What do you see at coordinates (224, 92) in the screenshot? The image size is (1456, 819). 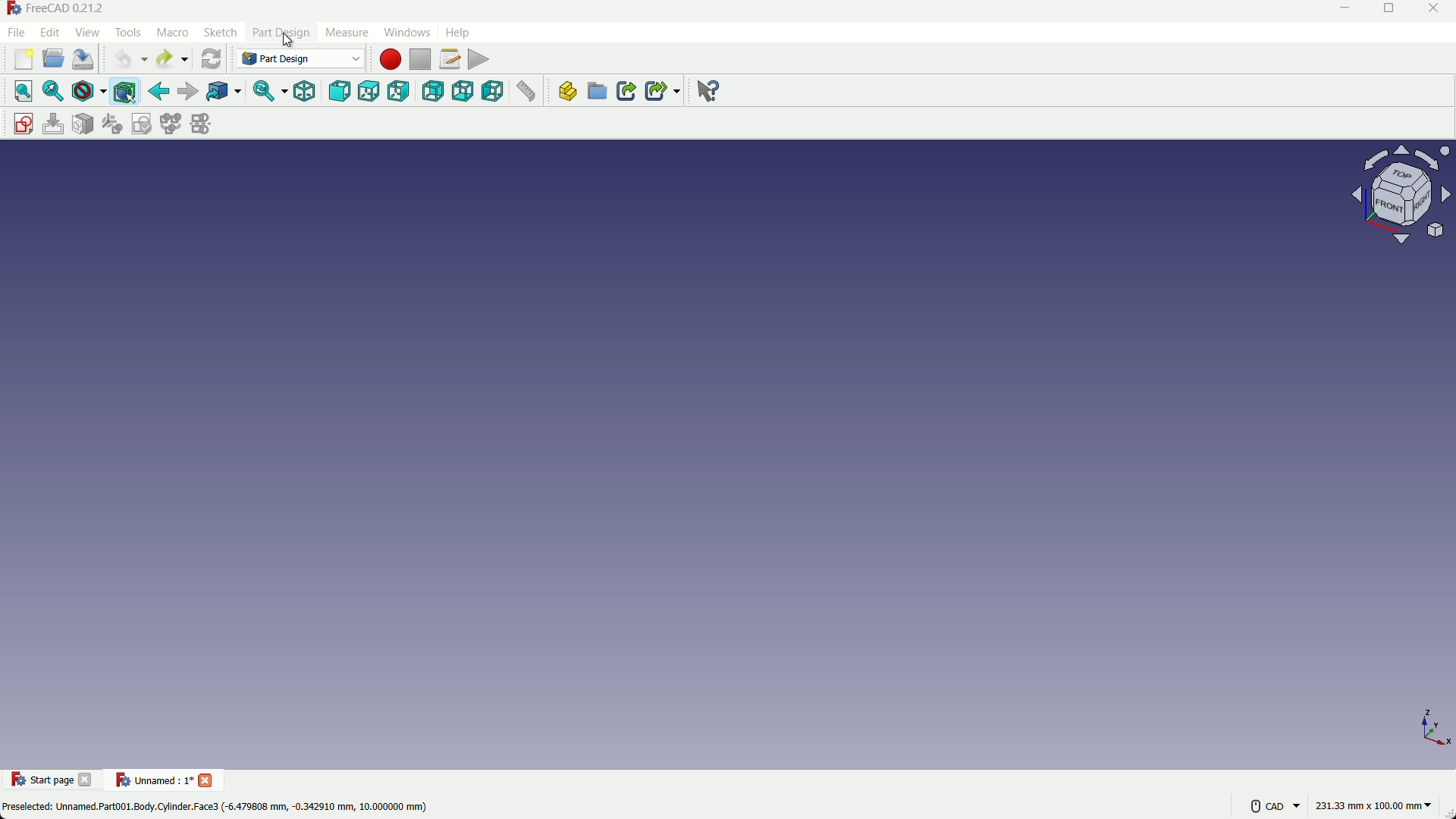 I see `link object` at bounding box center [224, 92].